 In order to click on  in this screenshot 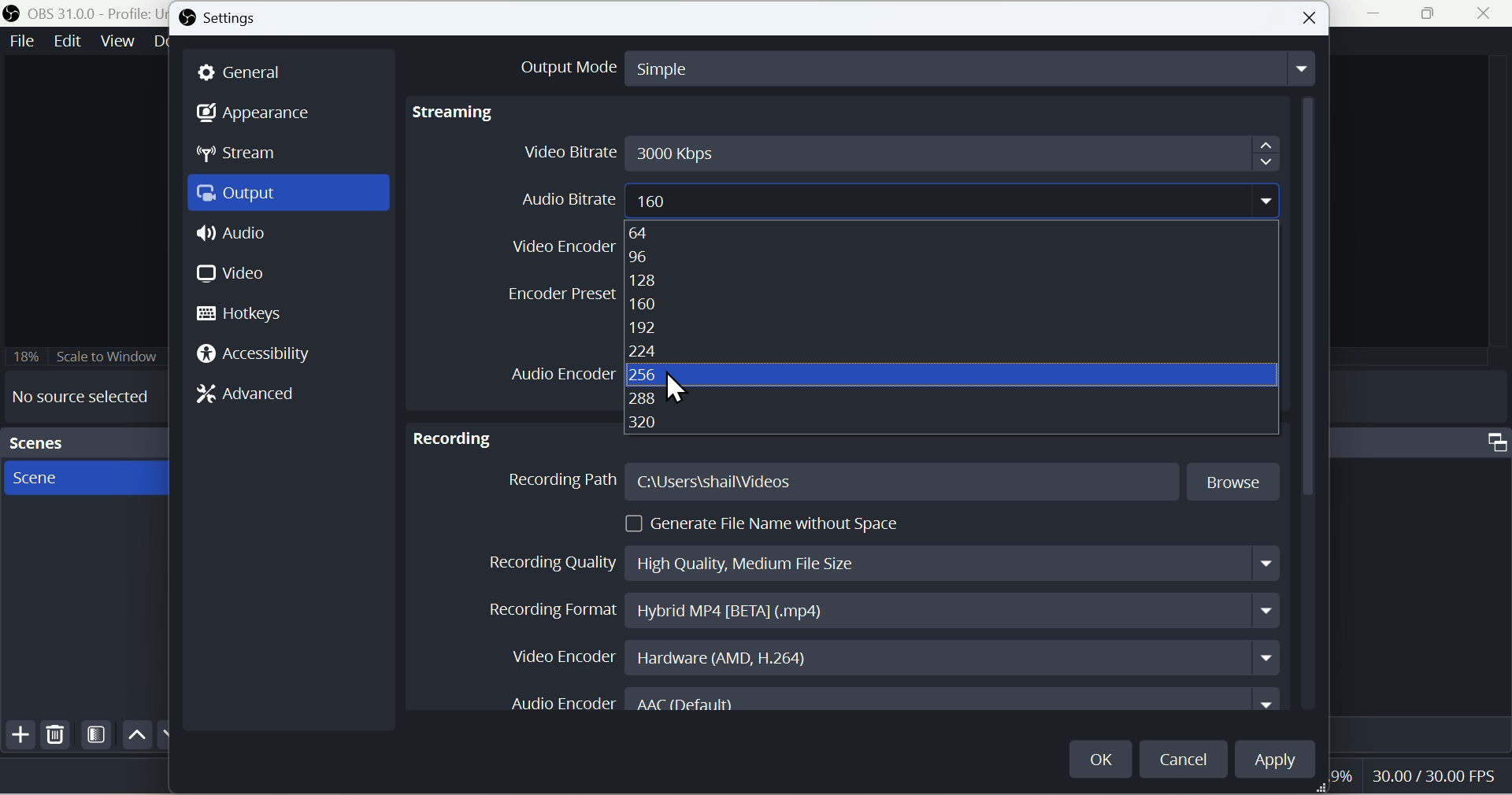, I will do `click(1311, 18)`.